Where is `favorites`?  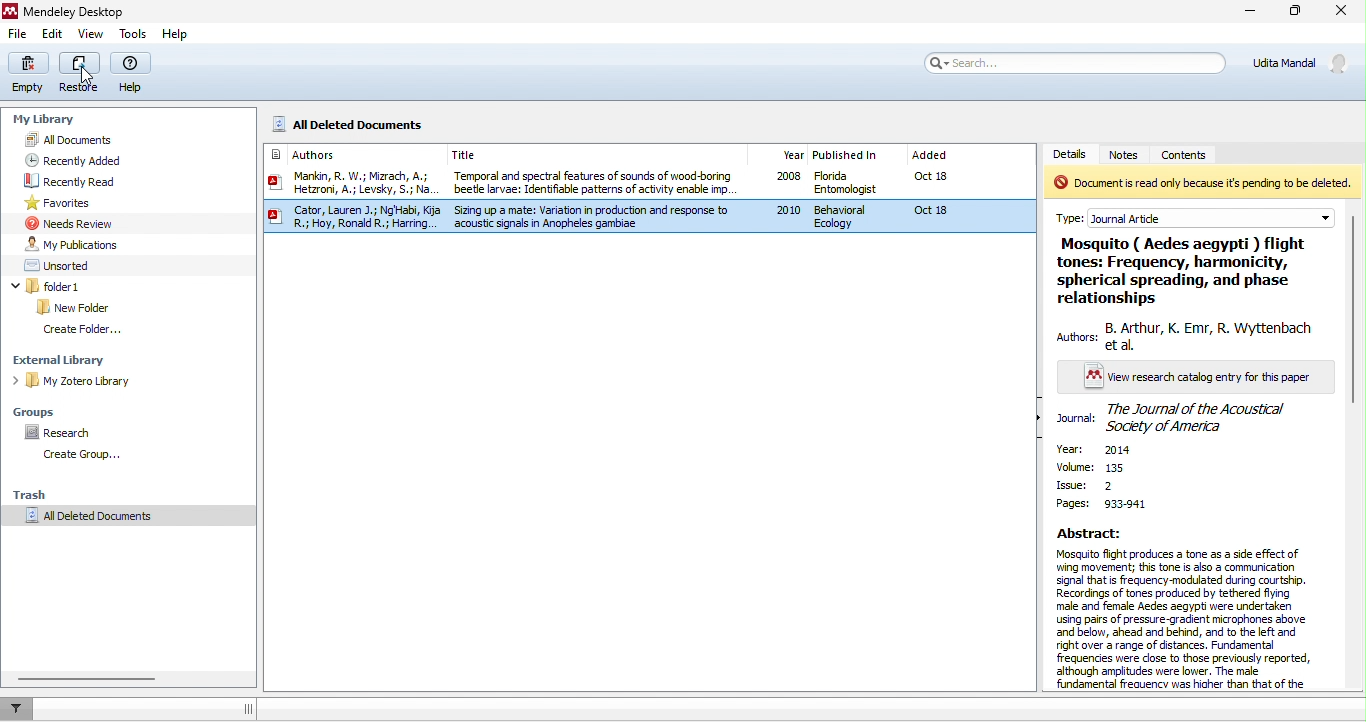
favorites is located at coordinates (59, 205).